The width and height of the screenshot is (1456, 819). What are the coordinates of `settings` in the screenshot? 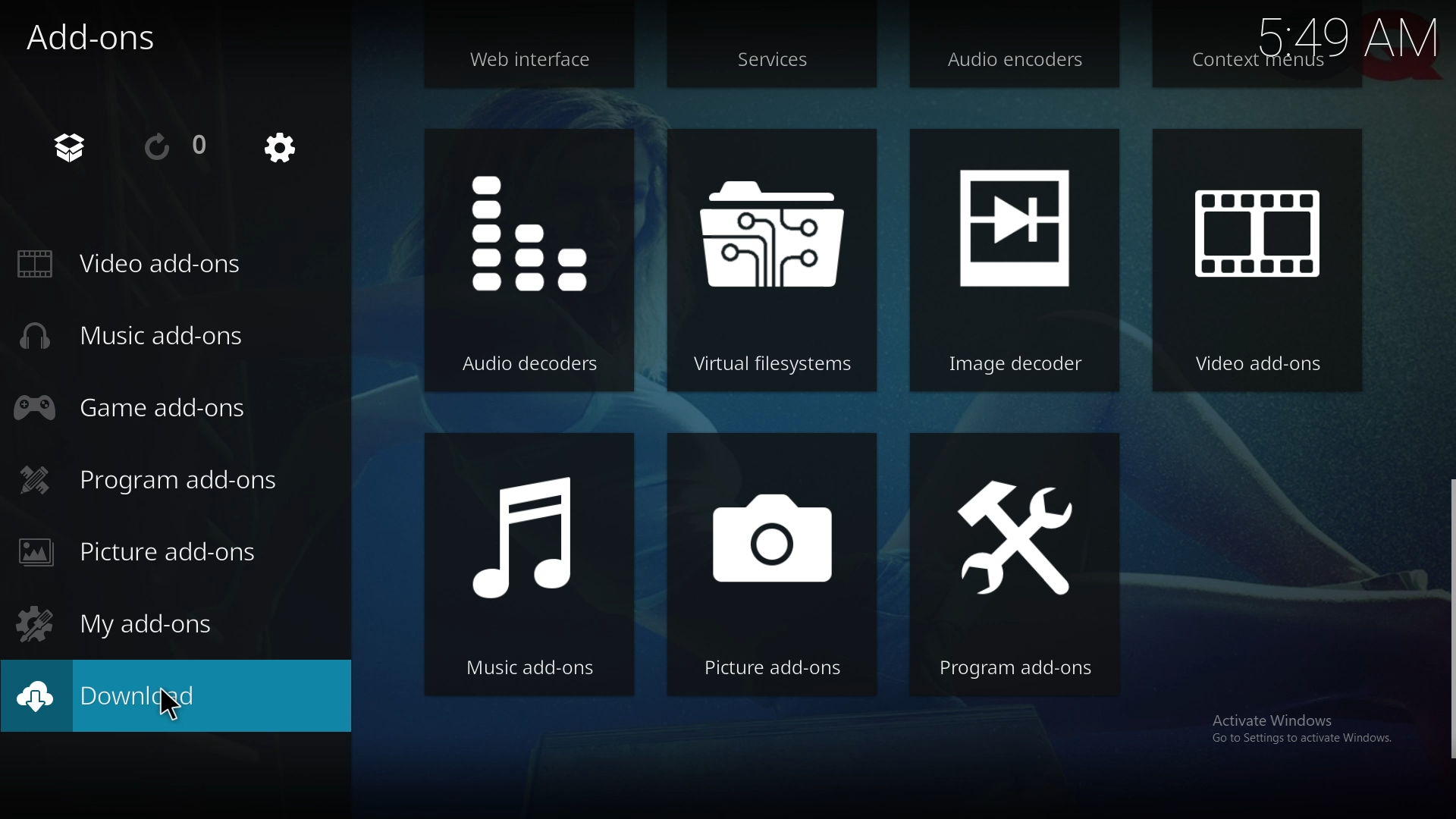 It's located at (278, 150).